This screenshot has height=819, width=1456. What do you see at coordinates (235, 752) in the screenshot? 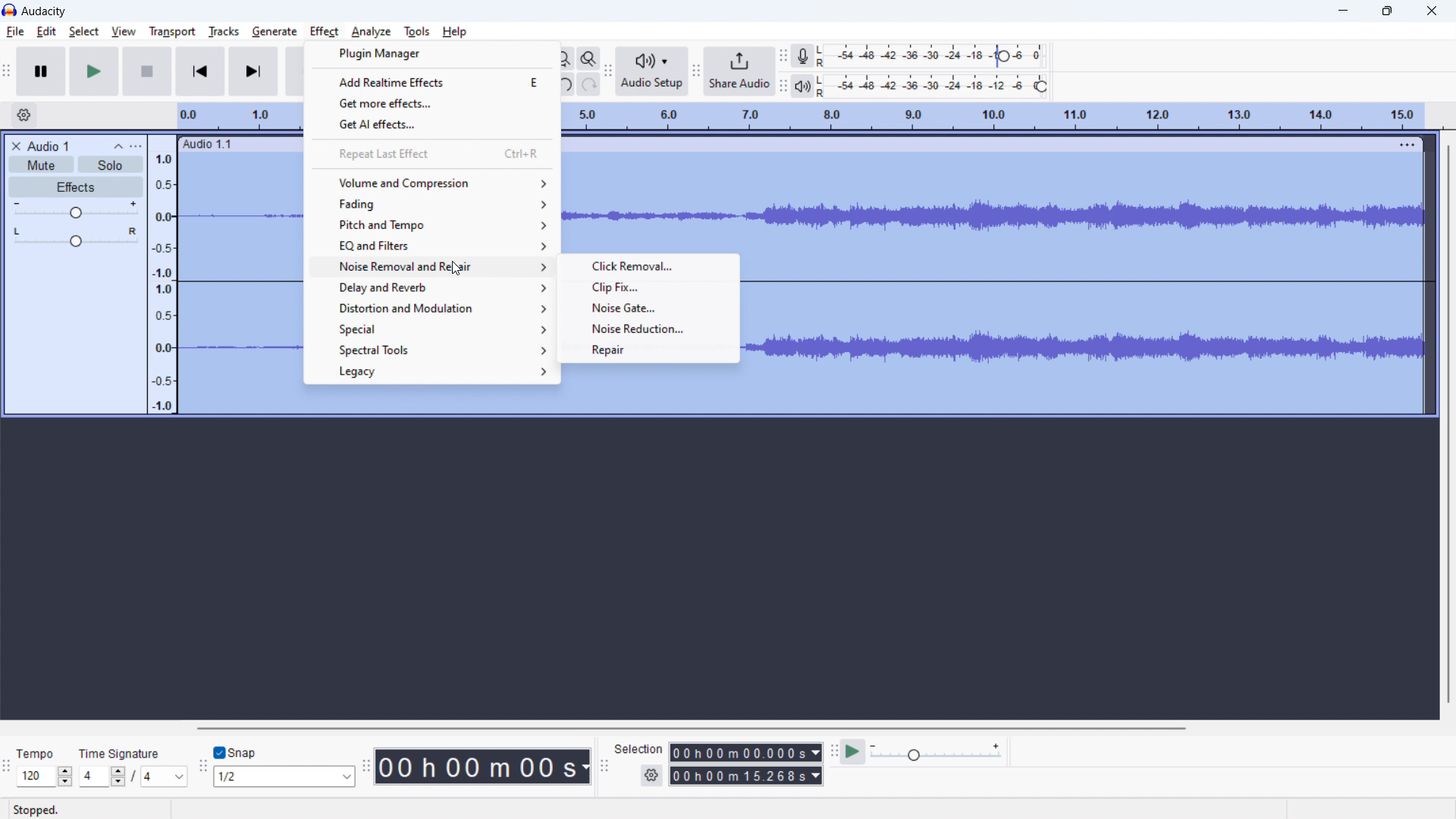
I see `toggle snap` at bounding box center [235, 752].